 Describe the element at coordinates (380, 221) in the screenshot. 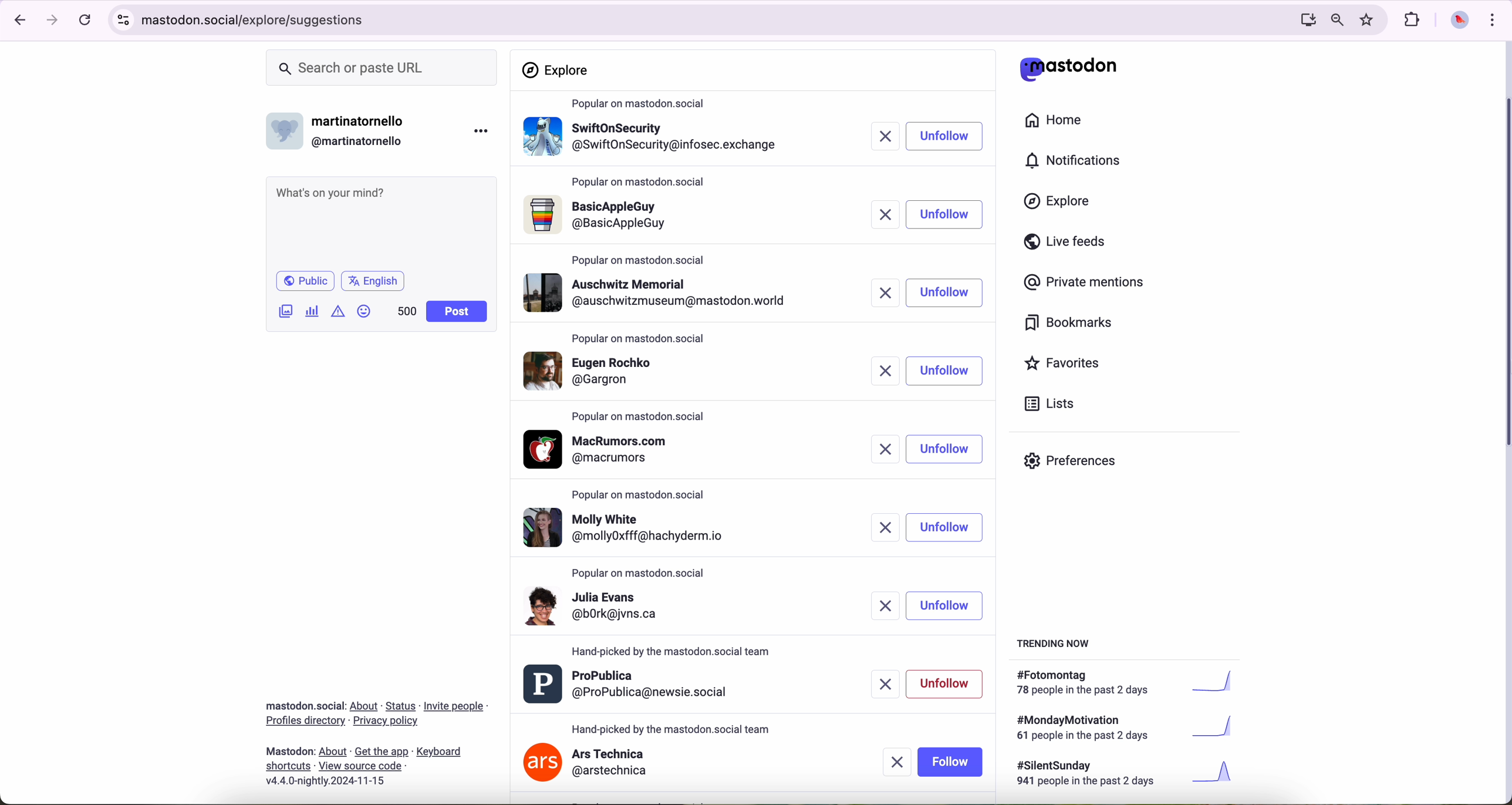

I see `what's on your mind?` at that location.